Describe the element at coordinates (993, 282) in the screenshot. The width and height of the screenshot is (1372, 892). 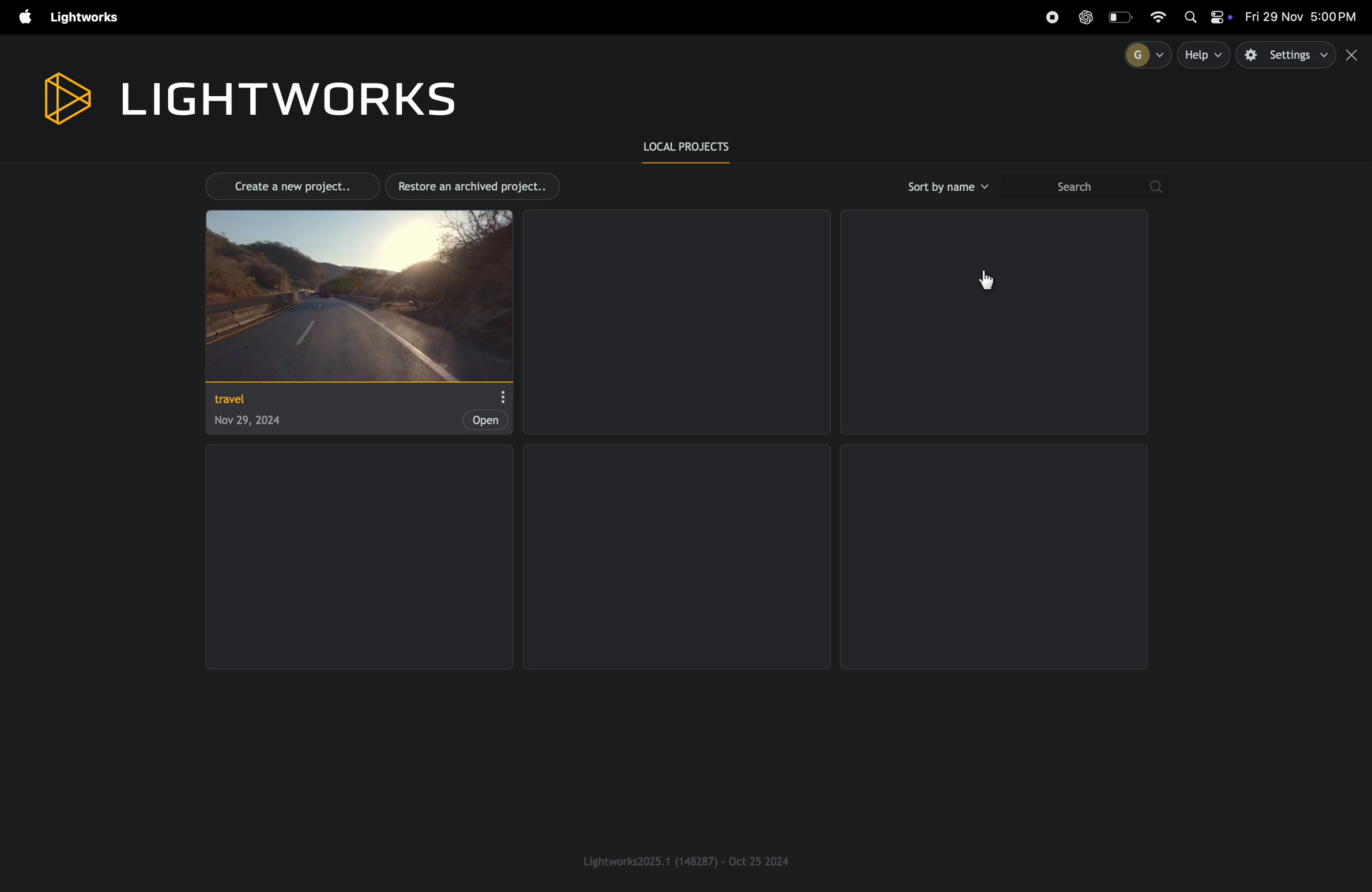
I see `cursor` at that location.